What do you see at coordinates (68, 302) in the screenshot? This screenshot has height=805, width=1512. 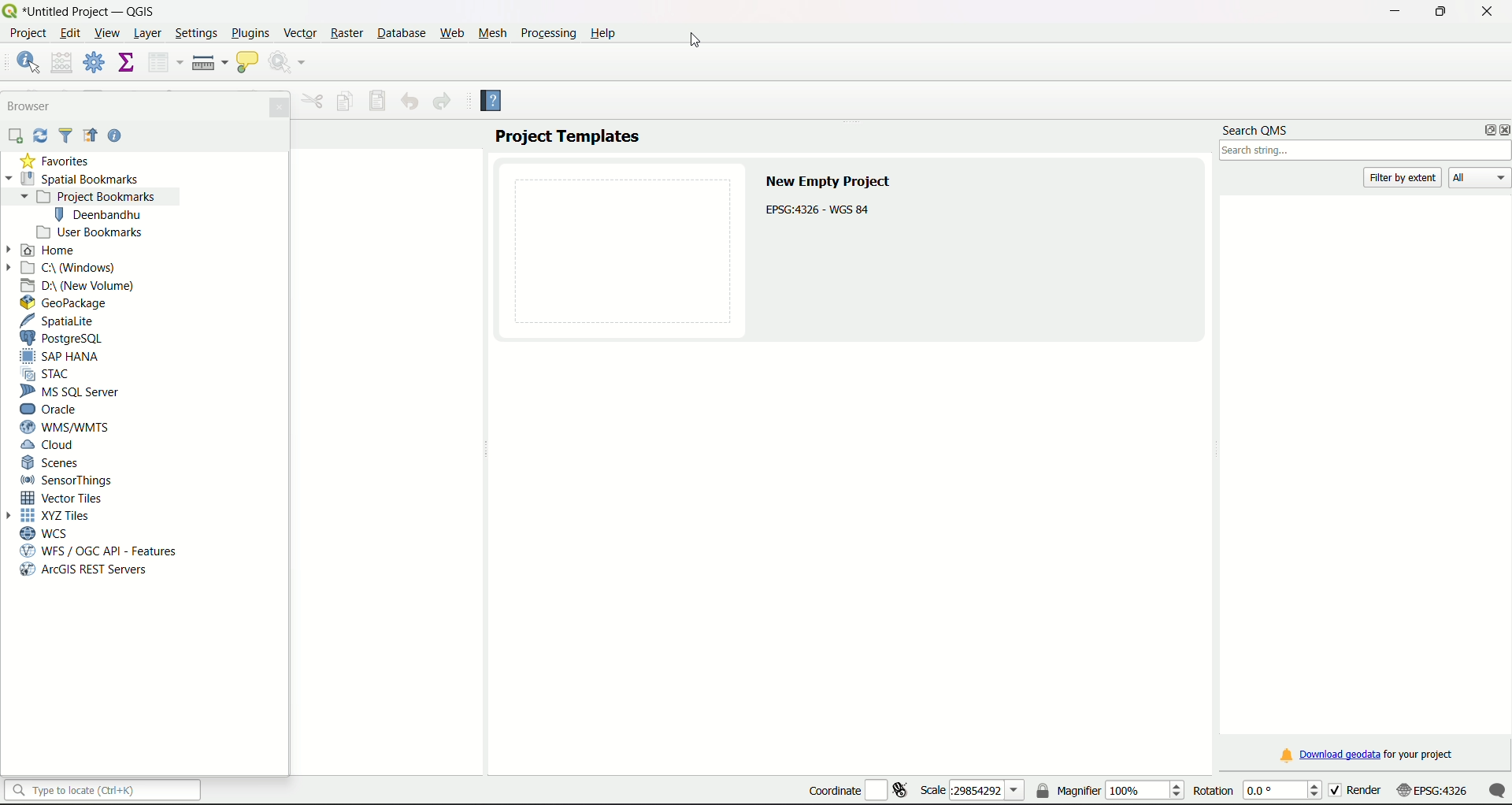 I see `GeoPackage` at bounding box center [68, 302].